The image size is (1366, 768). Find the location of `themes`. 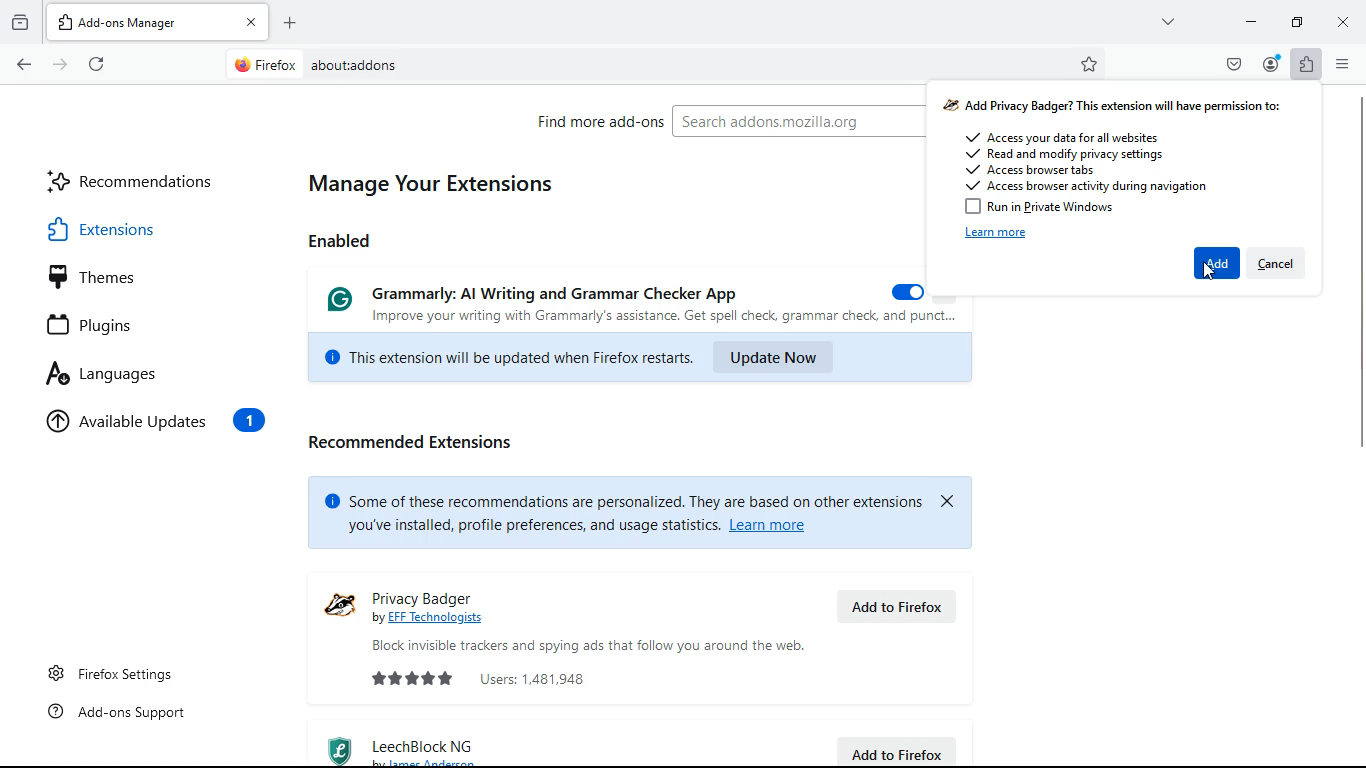

themes is located at coordinates (152, 278).